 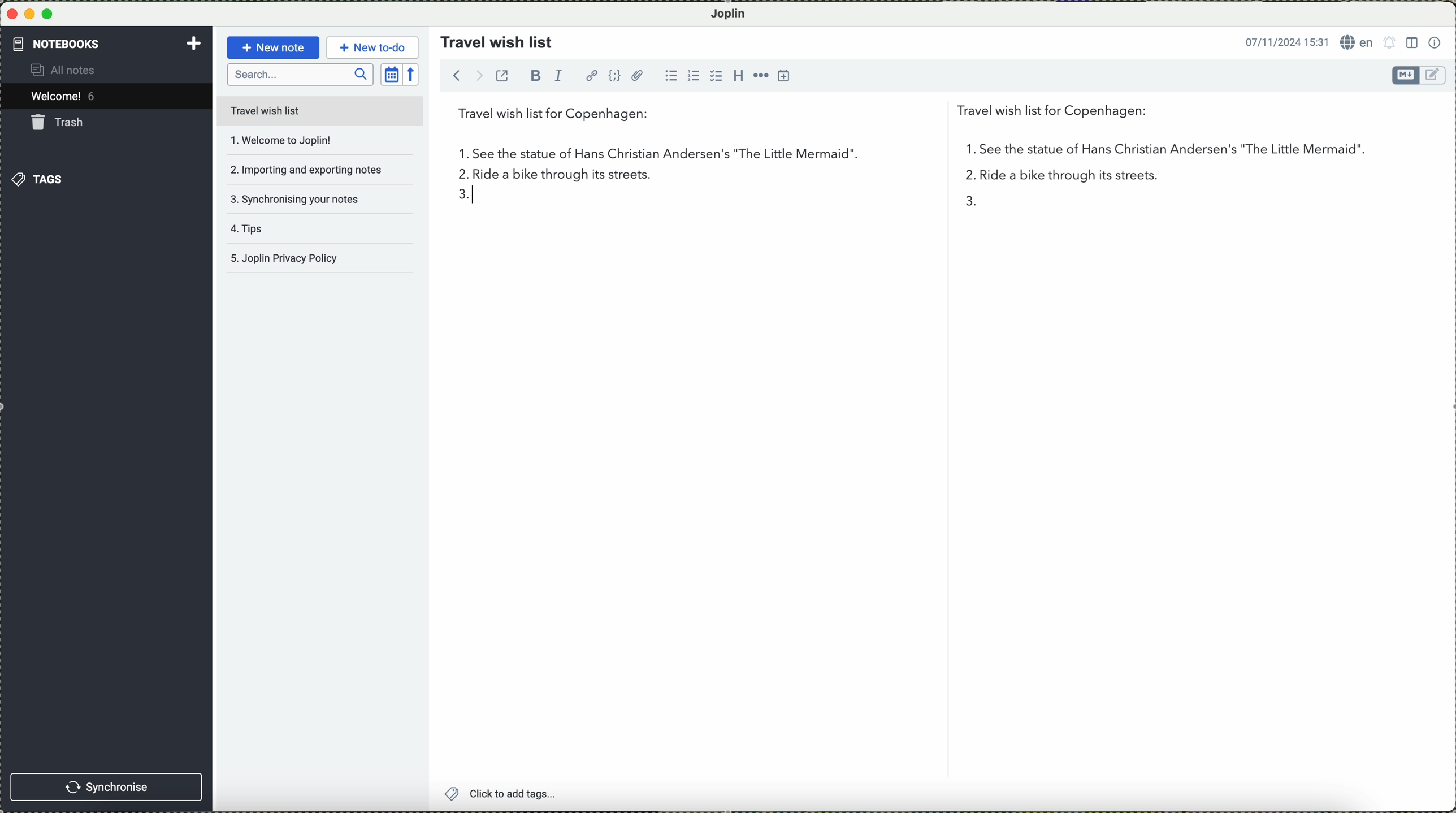 I want to click on click to add tags, so click(x=530, y=794).